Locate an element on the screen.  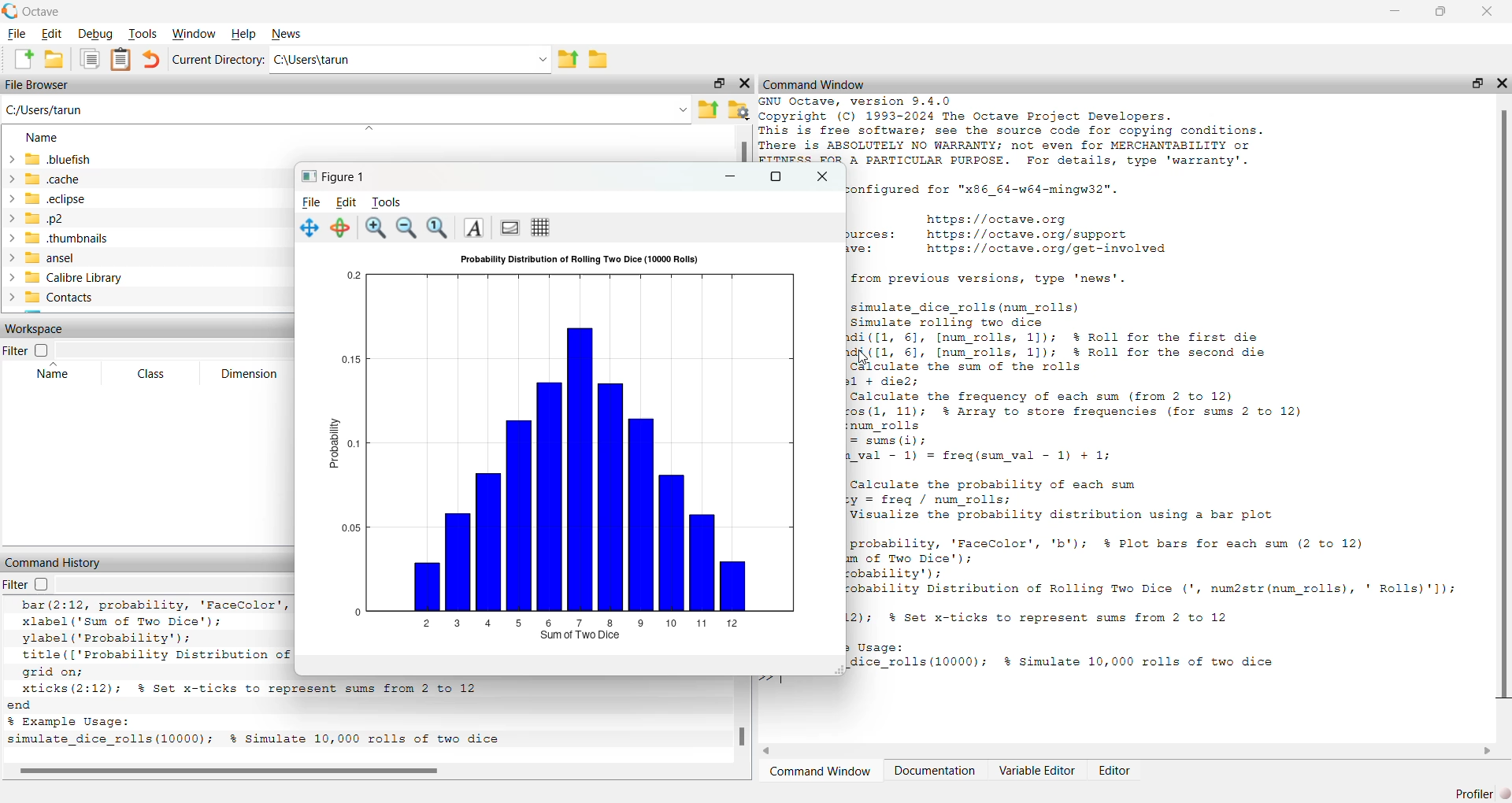
portrait is located at coordinates (513, 228).